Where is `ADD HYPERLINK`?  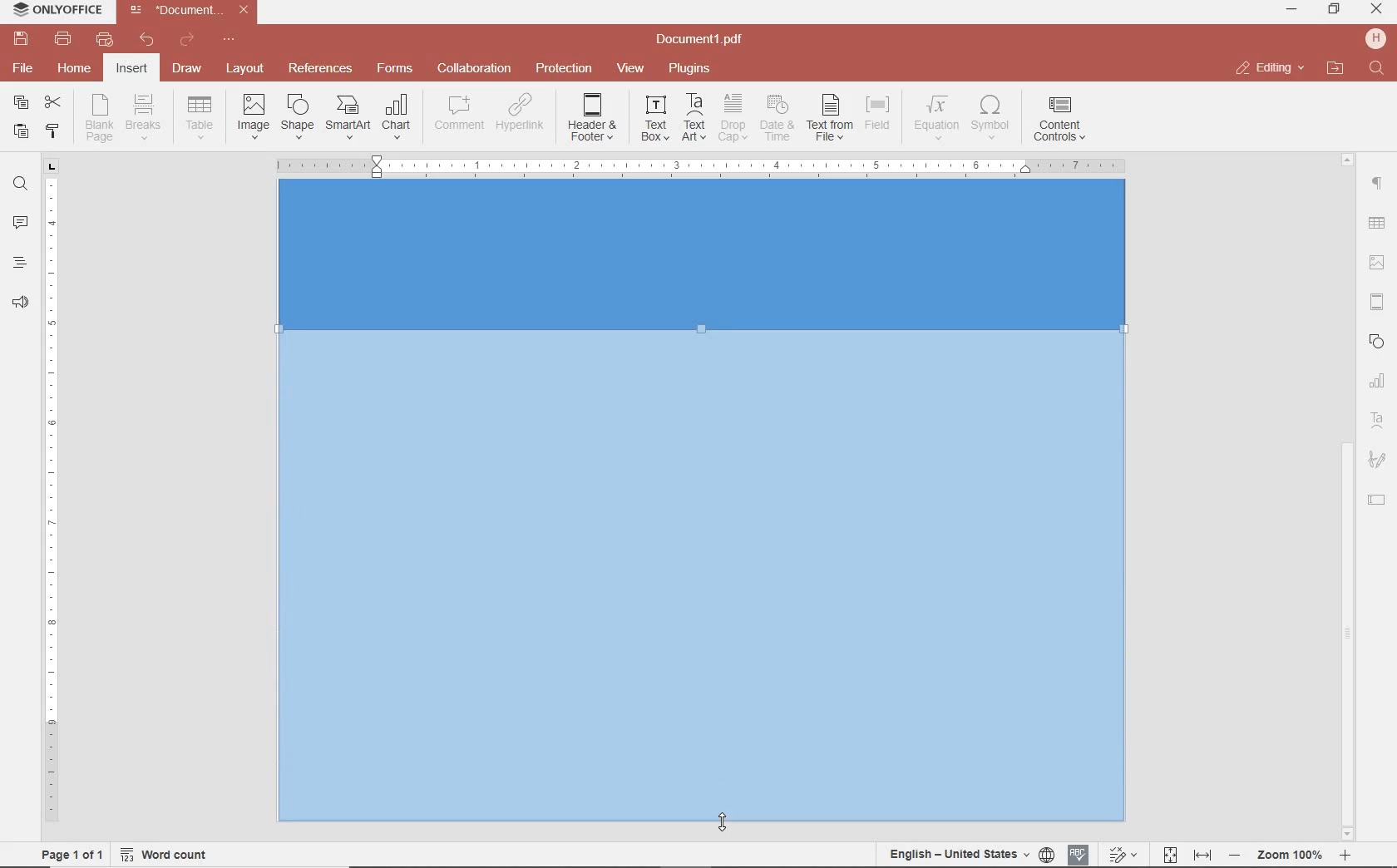
ADD HYPERLINK is located at coordinates (521, 116).